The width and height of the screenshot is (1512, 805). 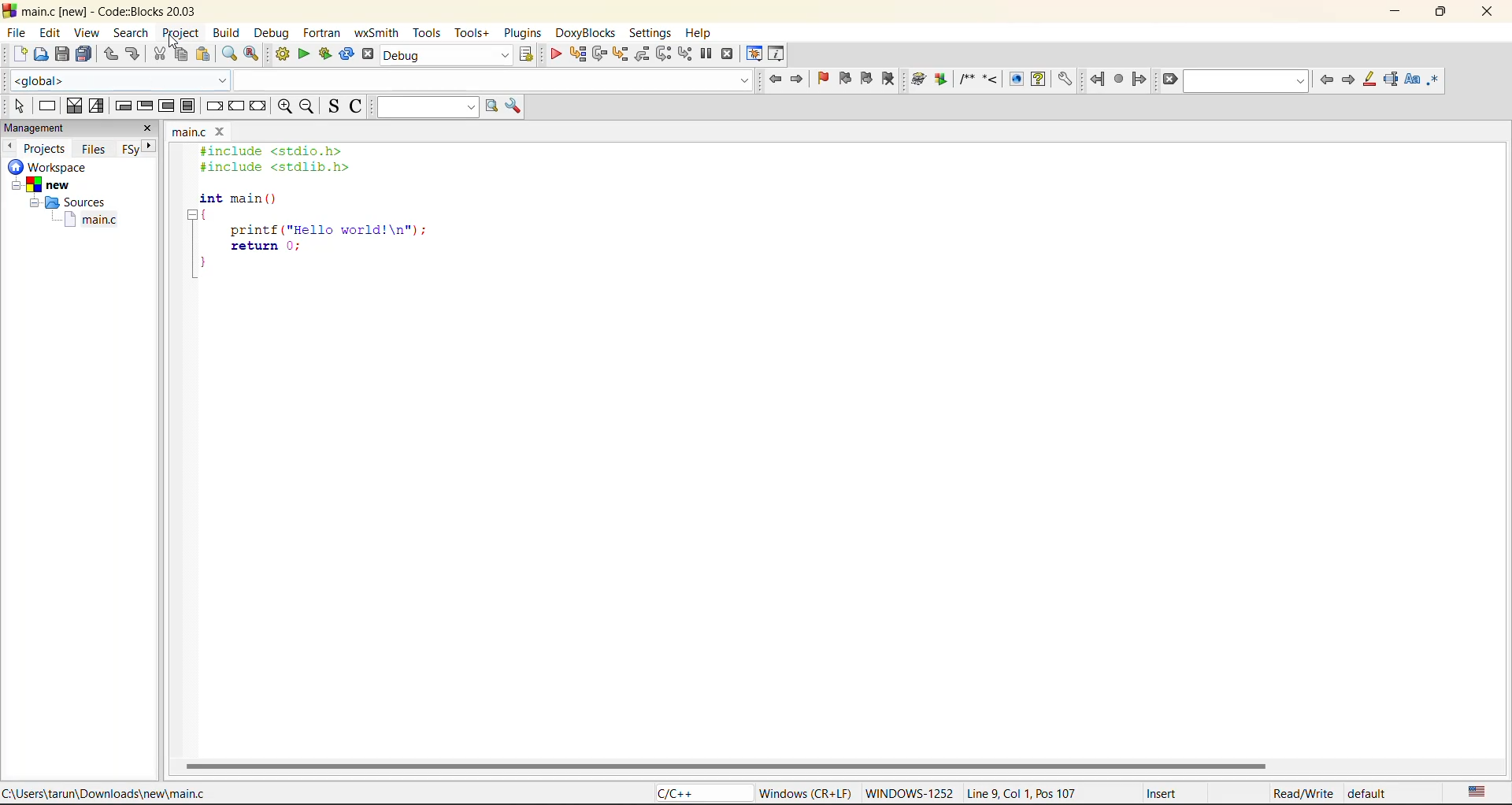 I want to click on instruction, so click(x=47, y=106).